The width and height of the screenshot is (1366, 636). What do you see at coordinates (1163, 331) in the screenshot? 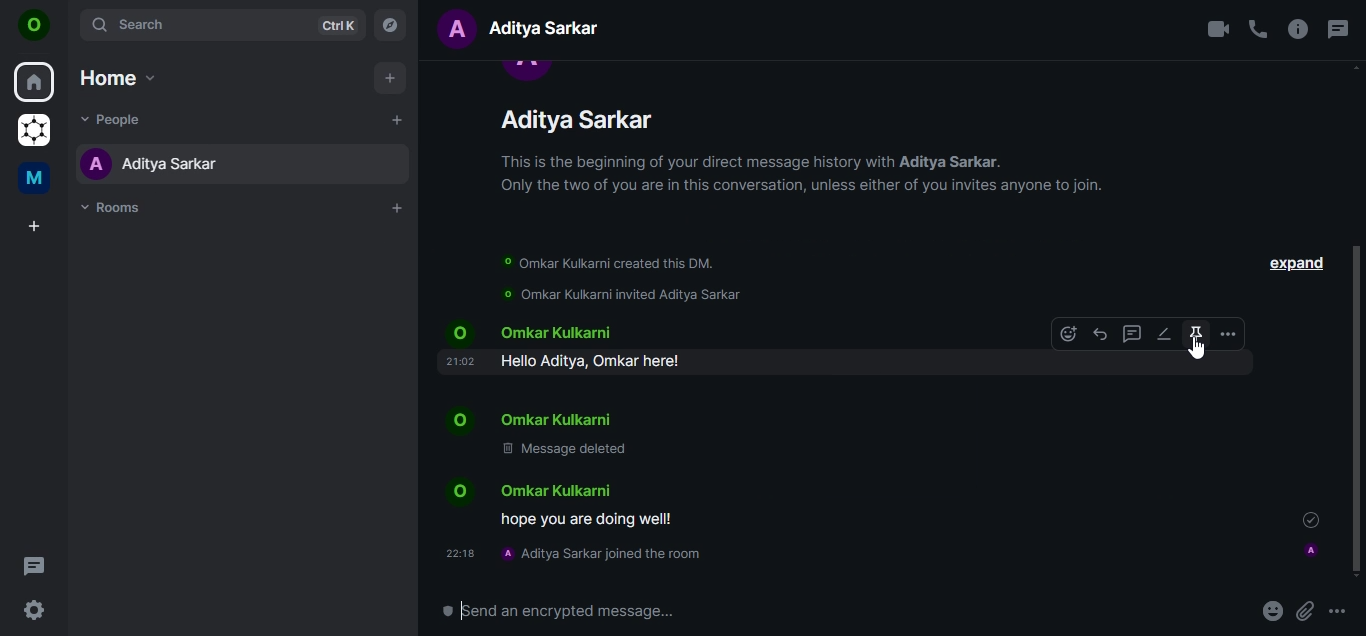
I see `edit` at bounding box center [1163, 331].